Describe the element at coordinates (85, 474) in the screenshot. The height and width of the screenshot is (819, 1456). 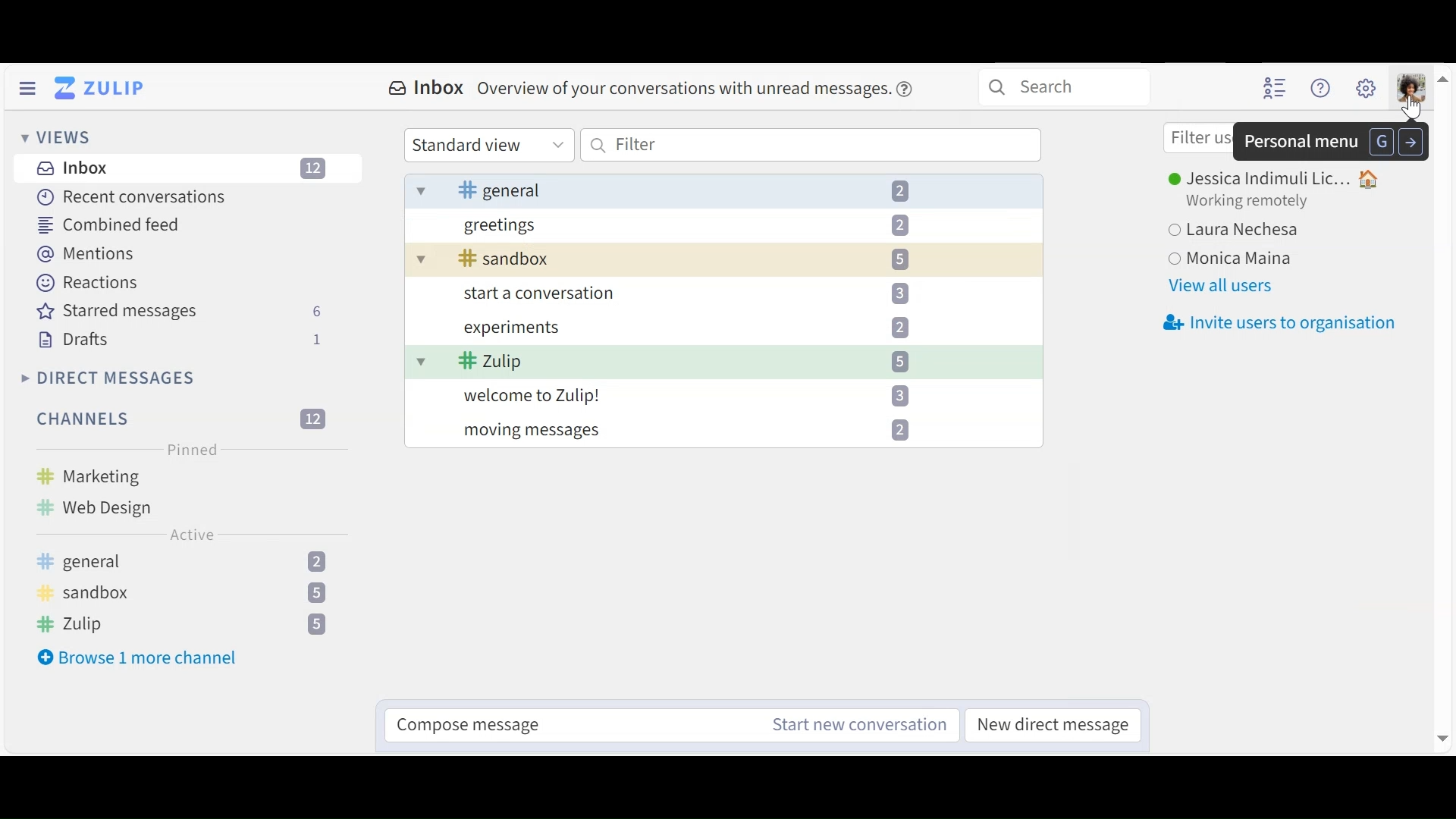
I see `Marketing` at that location.